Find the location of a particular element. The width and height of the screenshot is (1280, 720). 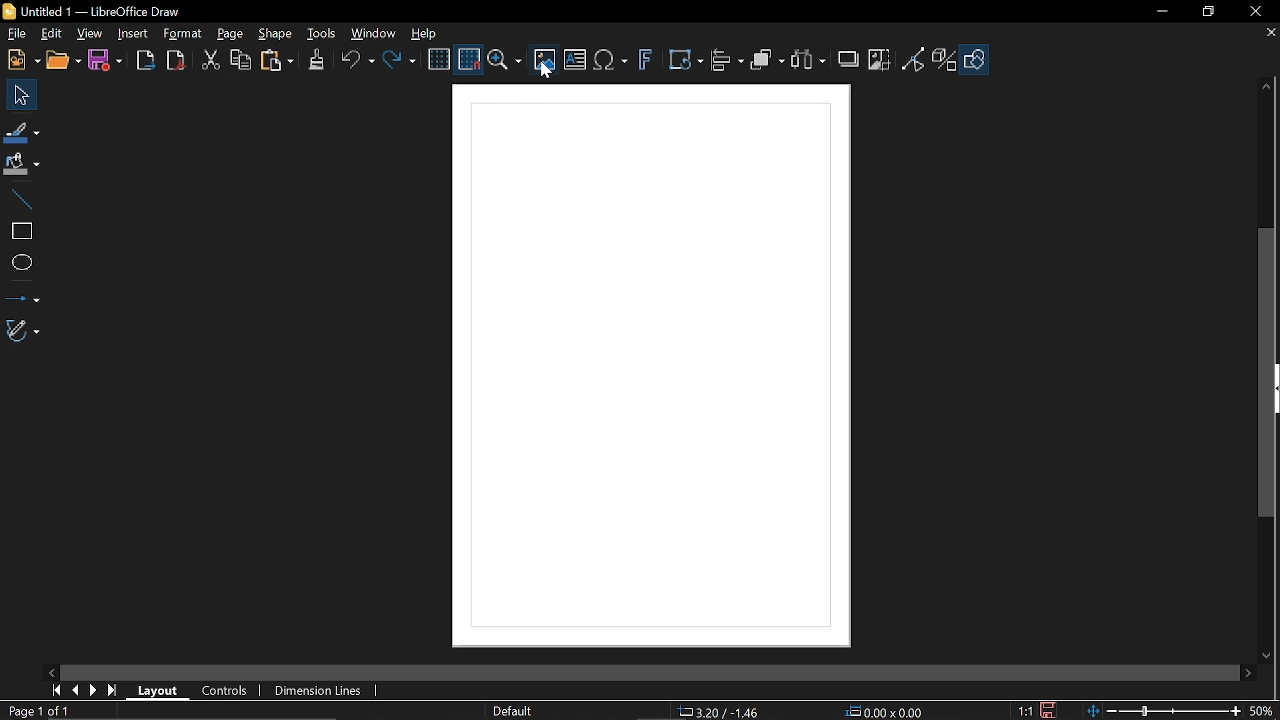

First page is located at coordinates (54, 690).